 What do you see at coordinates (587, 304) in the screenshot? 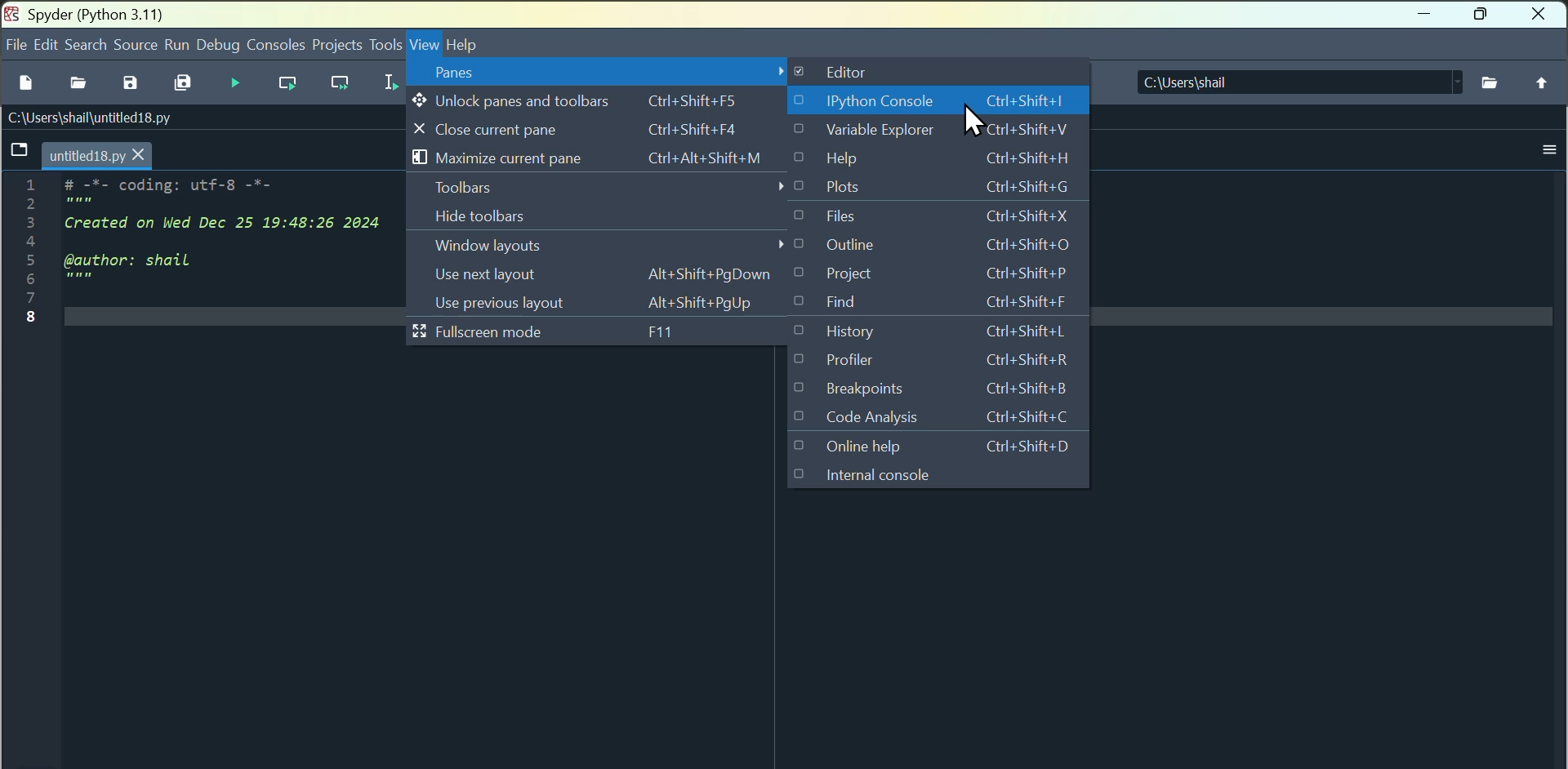
I see `User previous layout` at bounding box center [587, 304].